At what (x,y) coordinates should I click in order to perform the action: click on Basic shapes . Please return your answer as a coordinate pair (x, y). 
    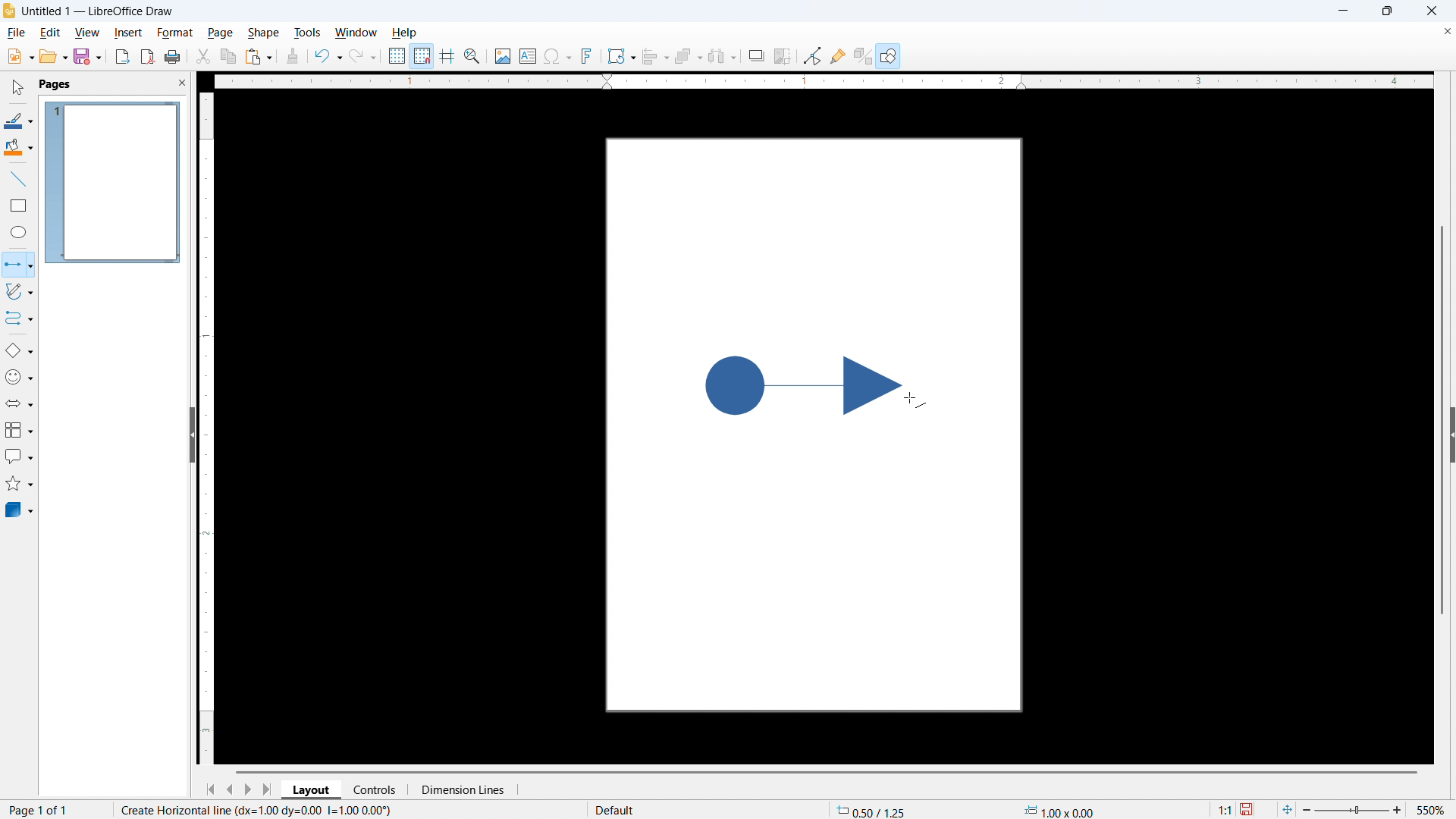
    Looking at the image, I should click on (19, 350).